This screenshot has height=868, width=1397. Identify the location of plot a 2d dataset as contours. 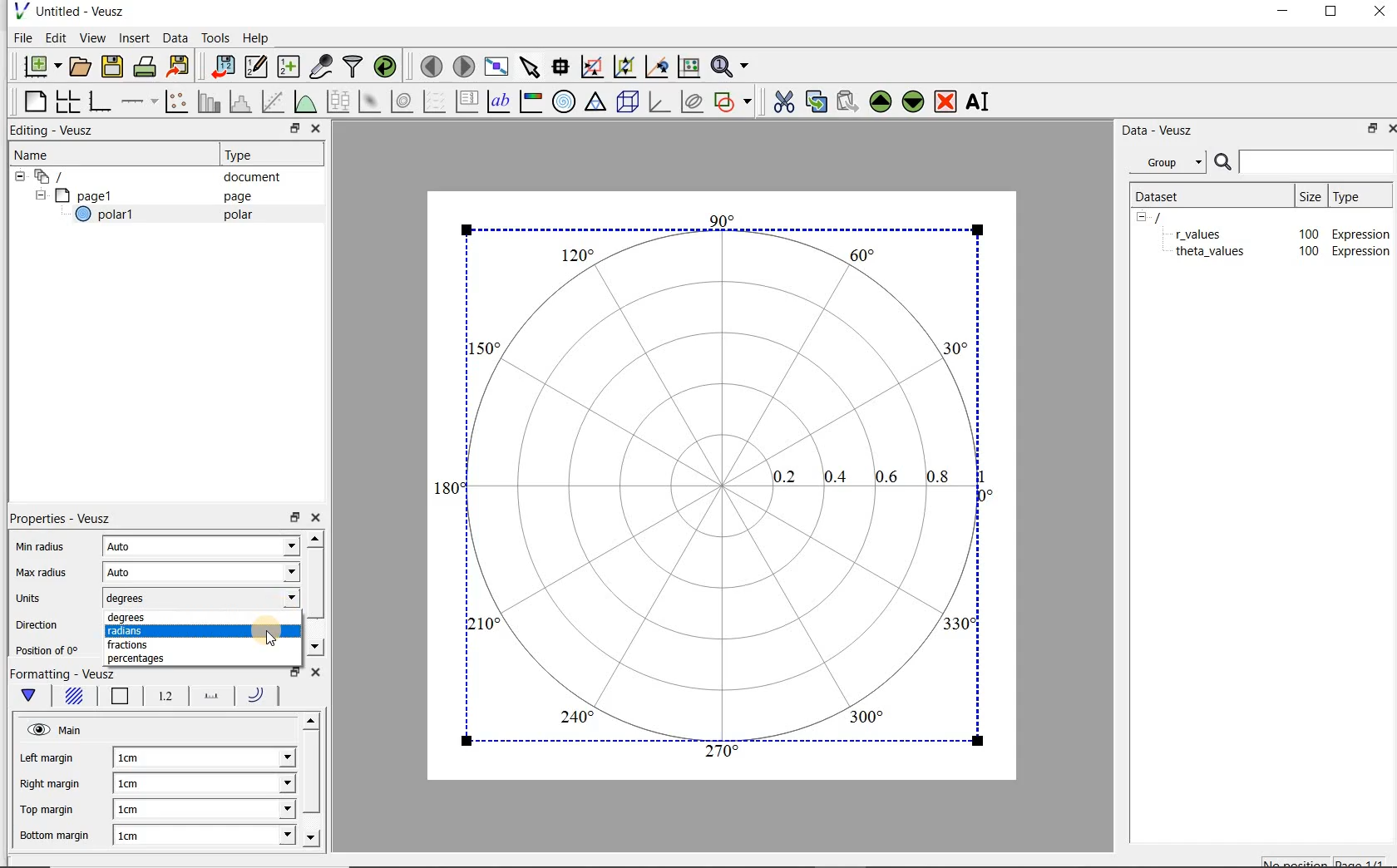
(403, 101).